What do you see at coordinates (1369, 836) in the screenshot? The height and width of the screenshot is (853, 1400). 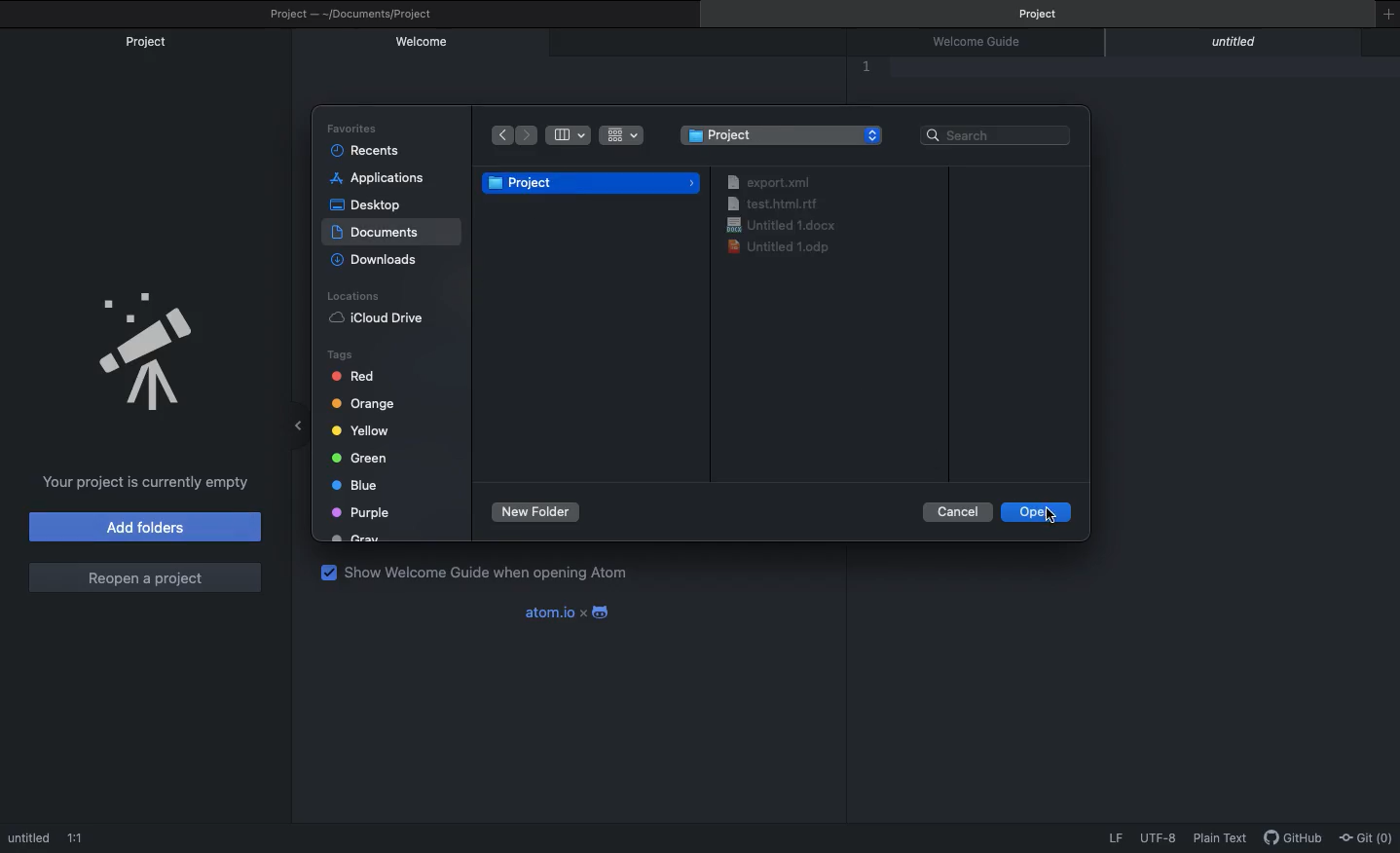 I see `Git` at bounding box center [1369, 836].